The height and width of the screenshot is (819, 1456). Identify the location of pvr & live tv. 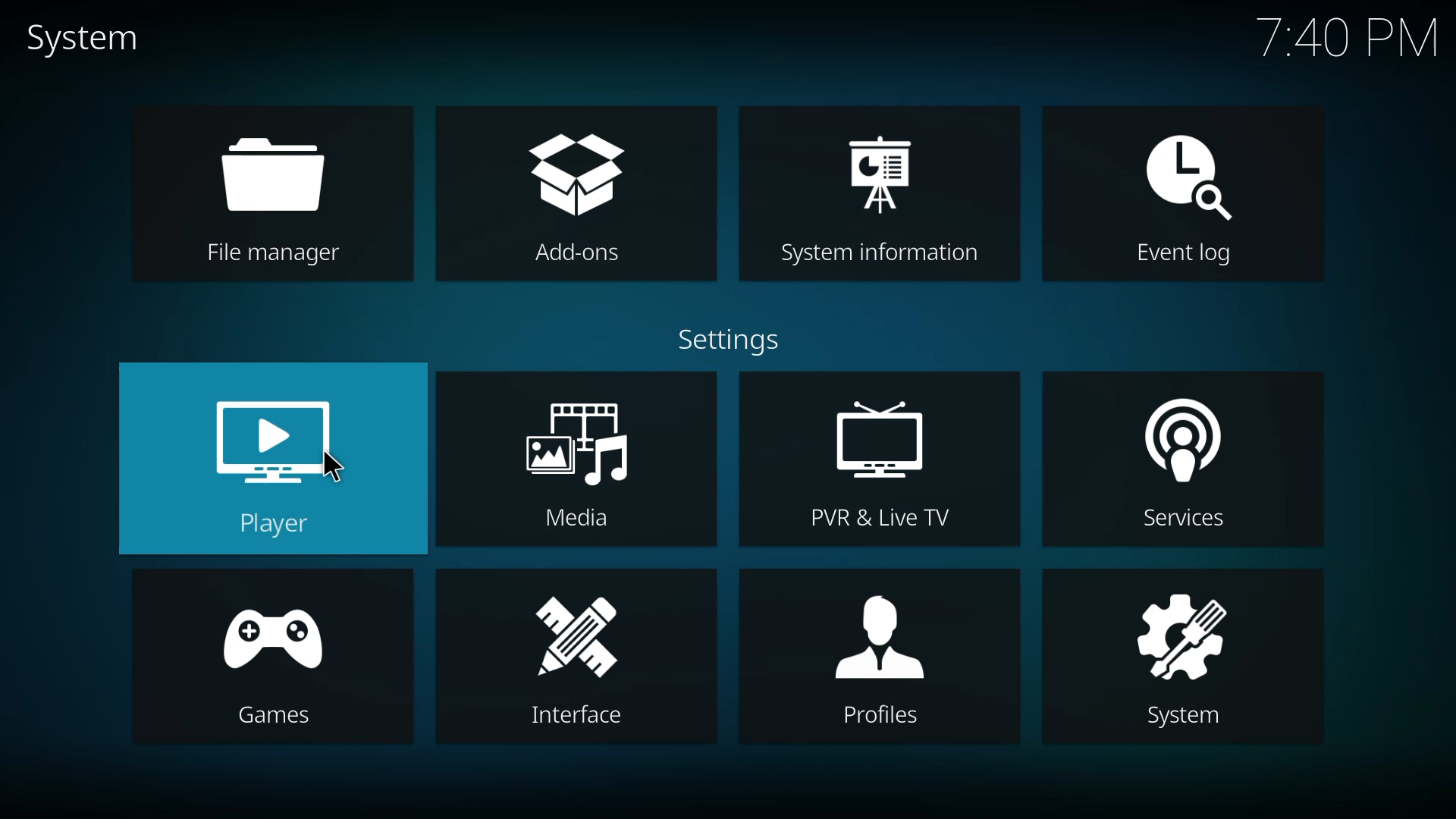
(874, 463).